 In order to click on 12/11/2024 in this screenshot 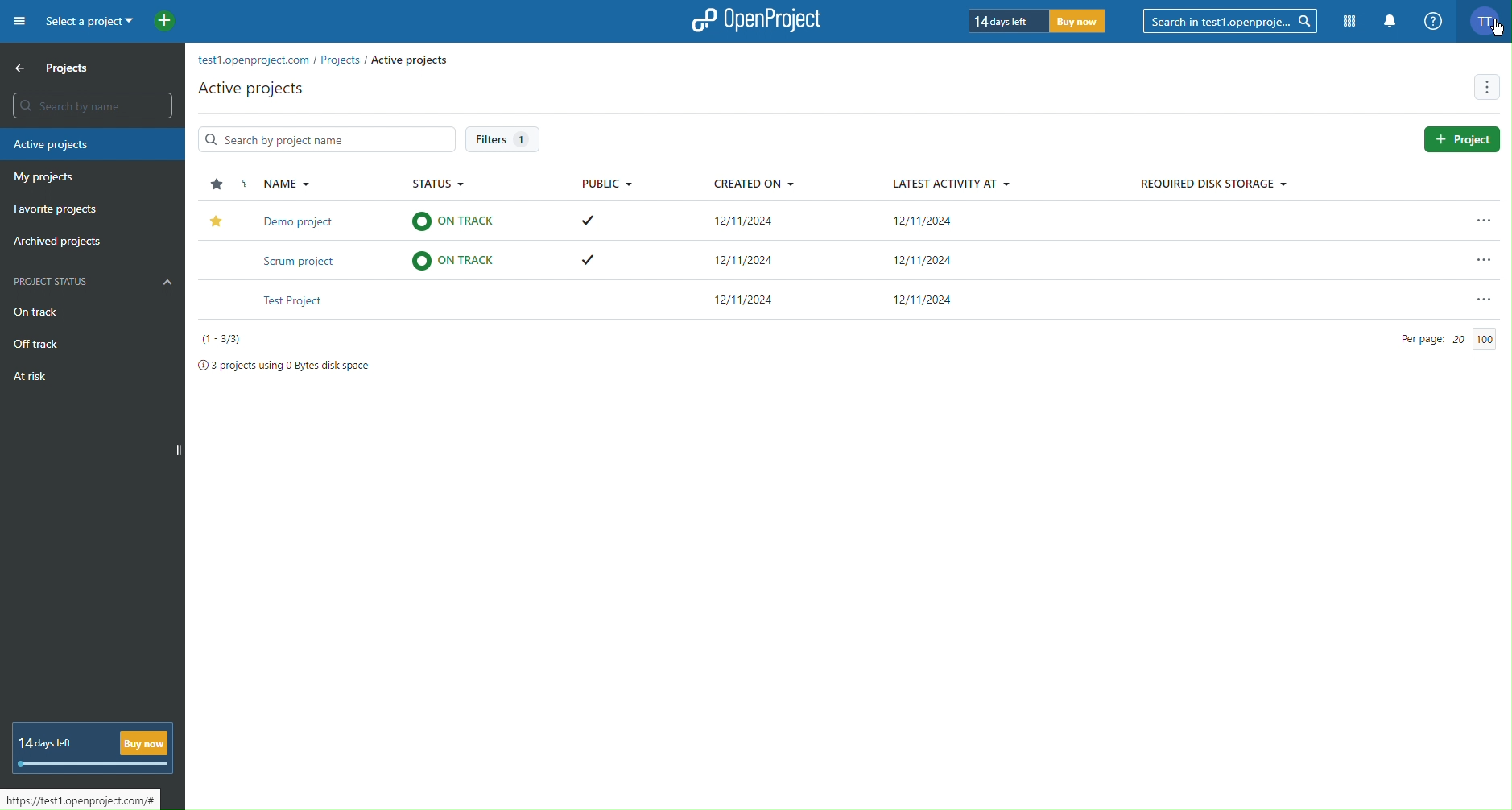, I will do `click(746, 221)`.